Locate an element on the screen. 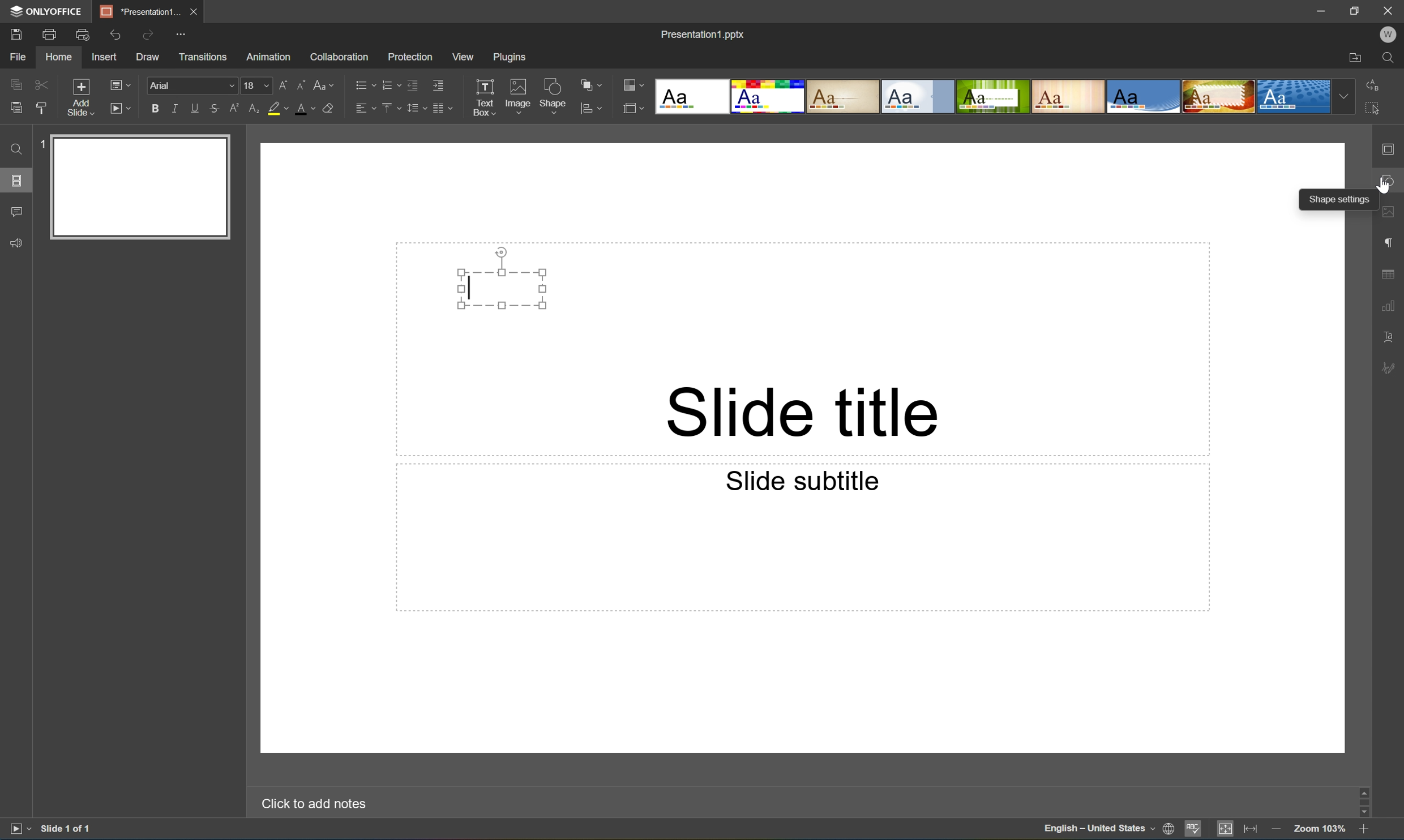  Save is located at coordinates (14, 33).